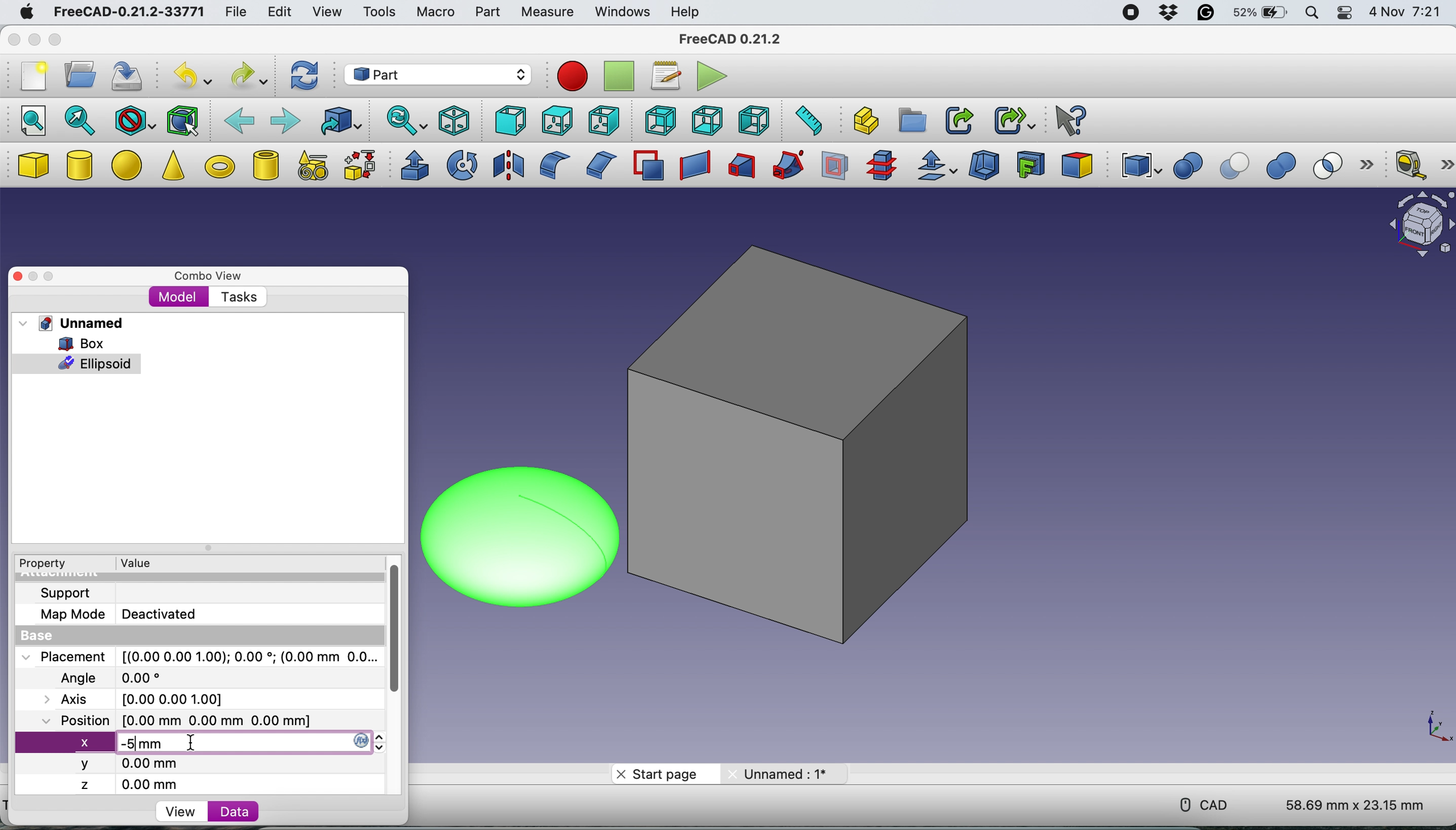 Image resolution: width=1456 pixels, height=830 pixels. Describe the element at coordinates (463, 164) in the screenshot. I see `revolve` at that location.